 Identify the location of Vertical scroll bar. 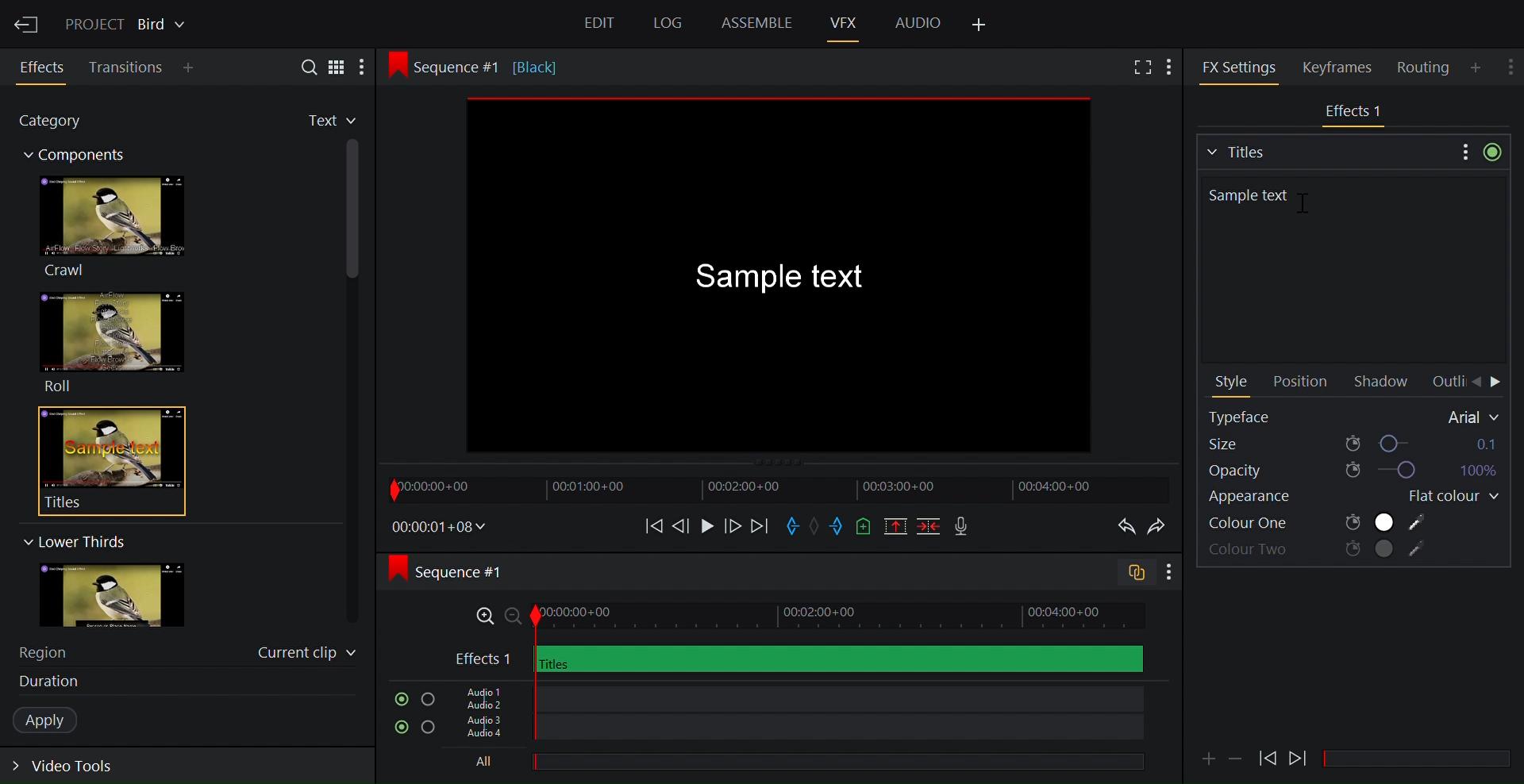
(354, 290).